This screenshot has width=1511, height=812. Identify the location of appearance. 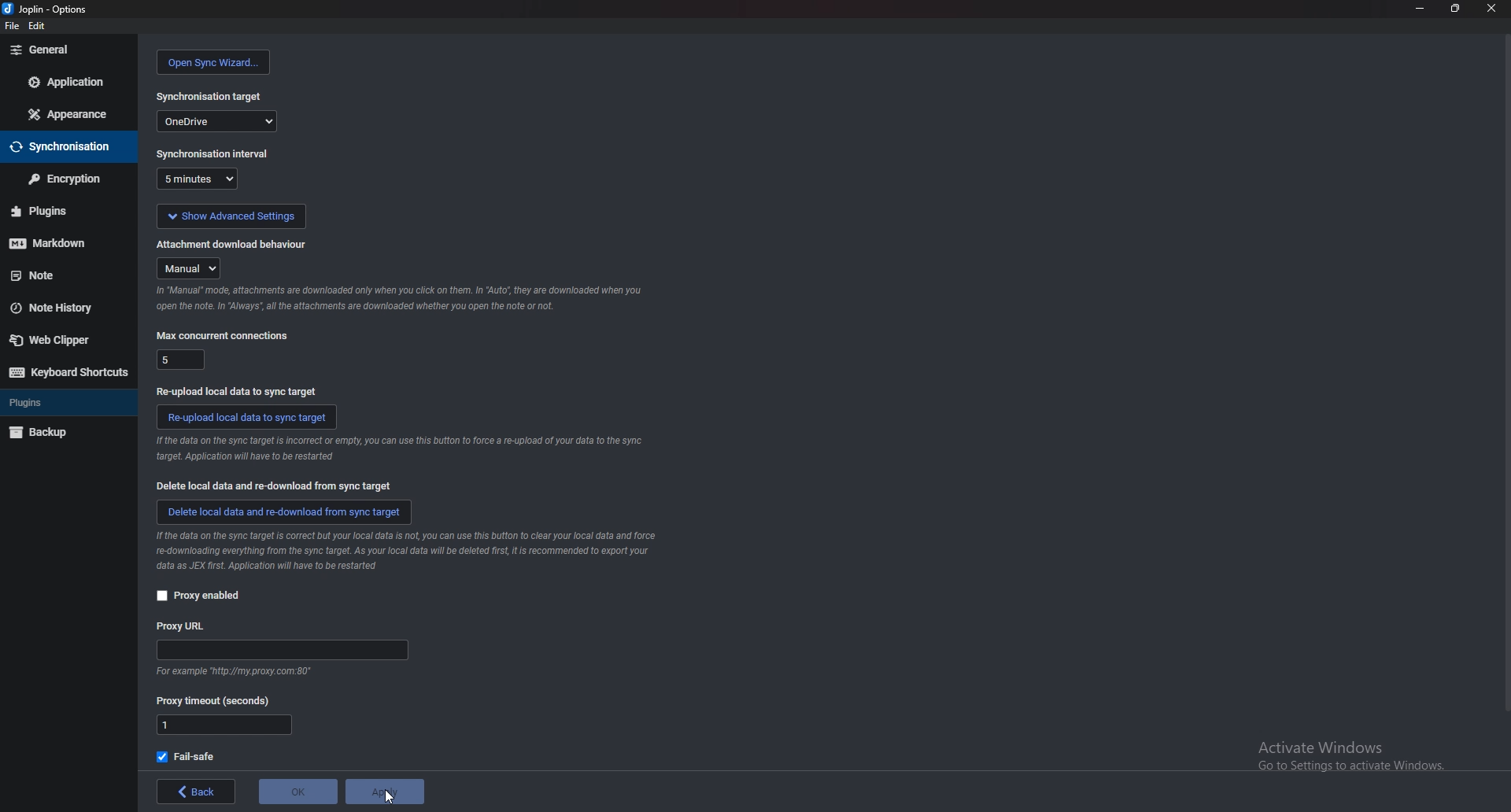
(66, 115).